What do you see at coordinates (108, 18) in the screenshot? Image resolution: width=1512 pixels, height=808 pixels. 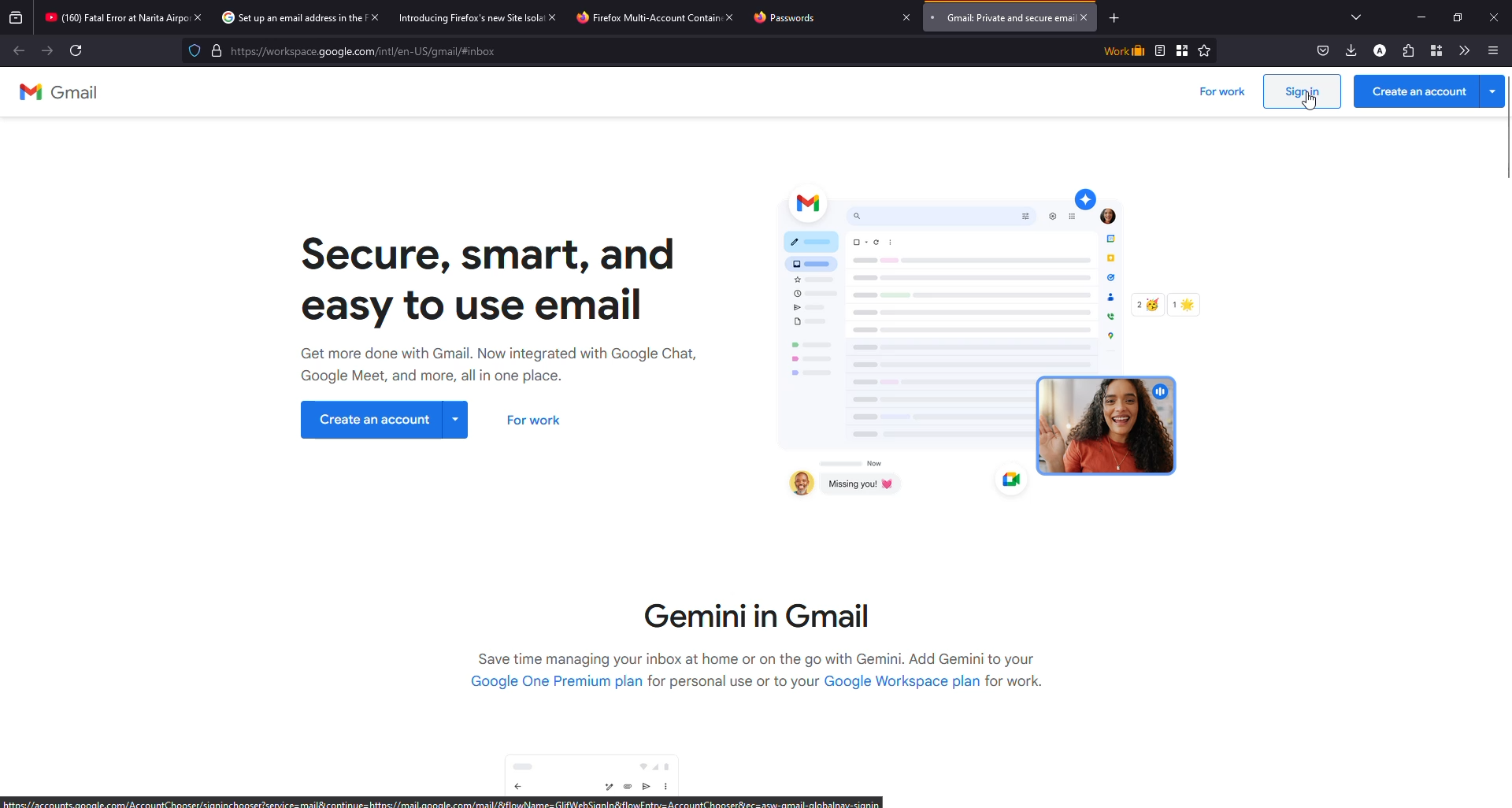 I see `(160) Fatal Error at Narita A` at bounding box center [108, 18].